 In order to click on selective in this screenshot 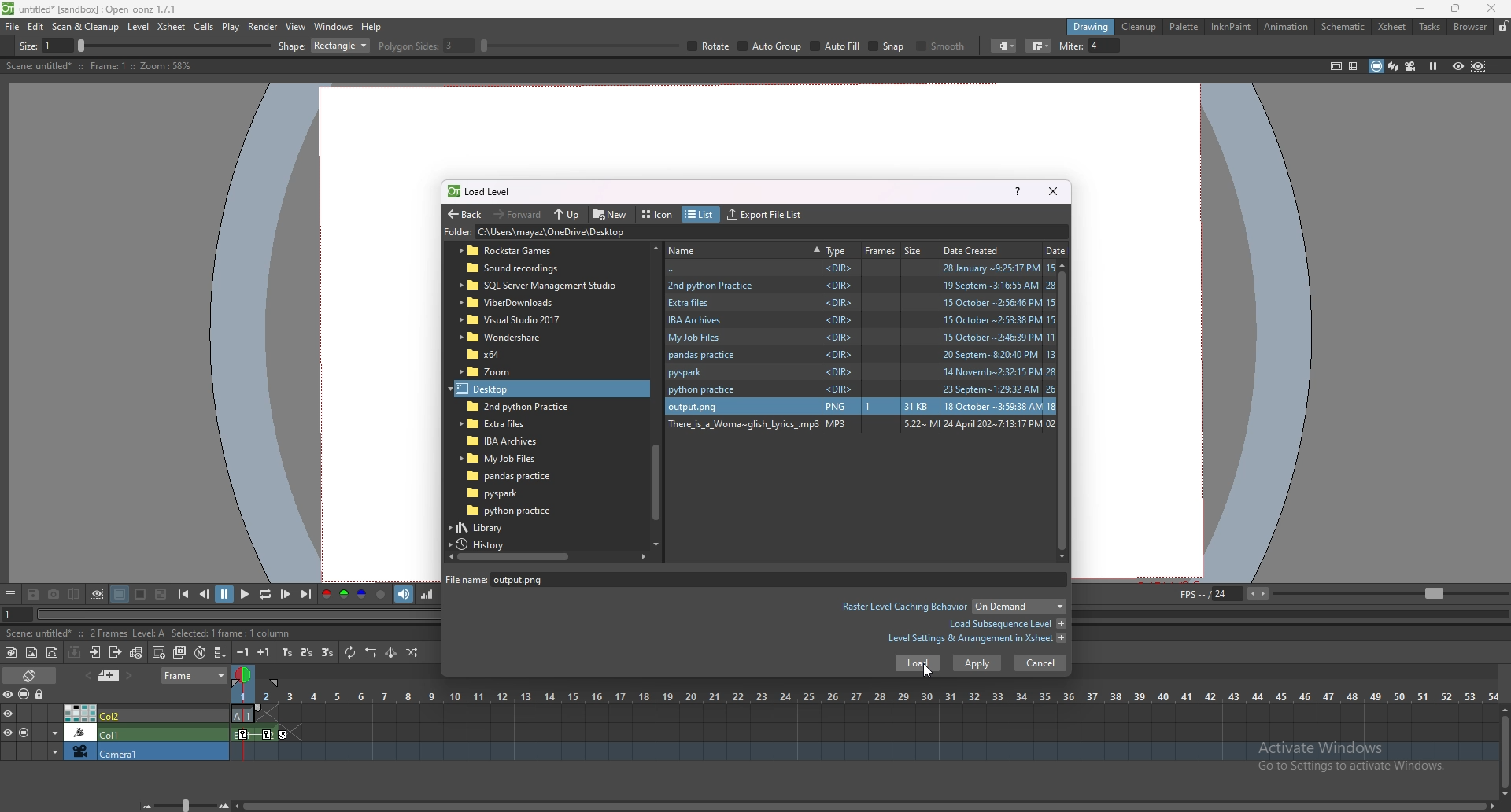, I will do `click(1081, 46)`.